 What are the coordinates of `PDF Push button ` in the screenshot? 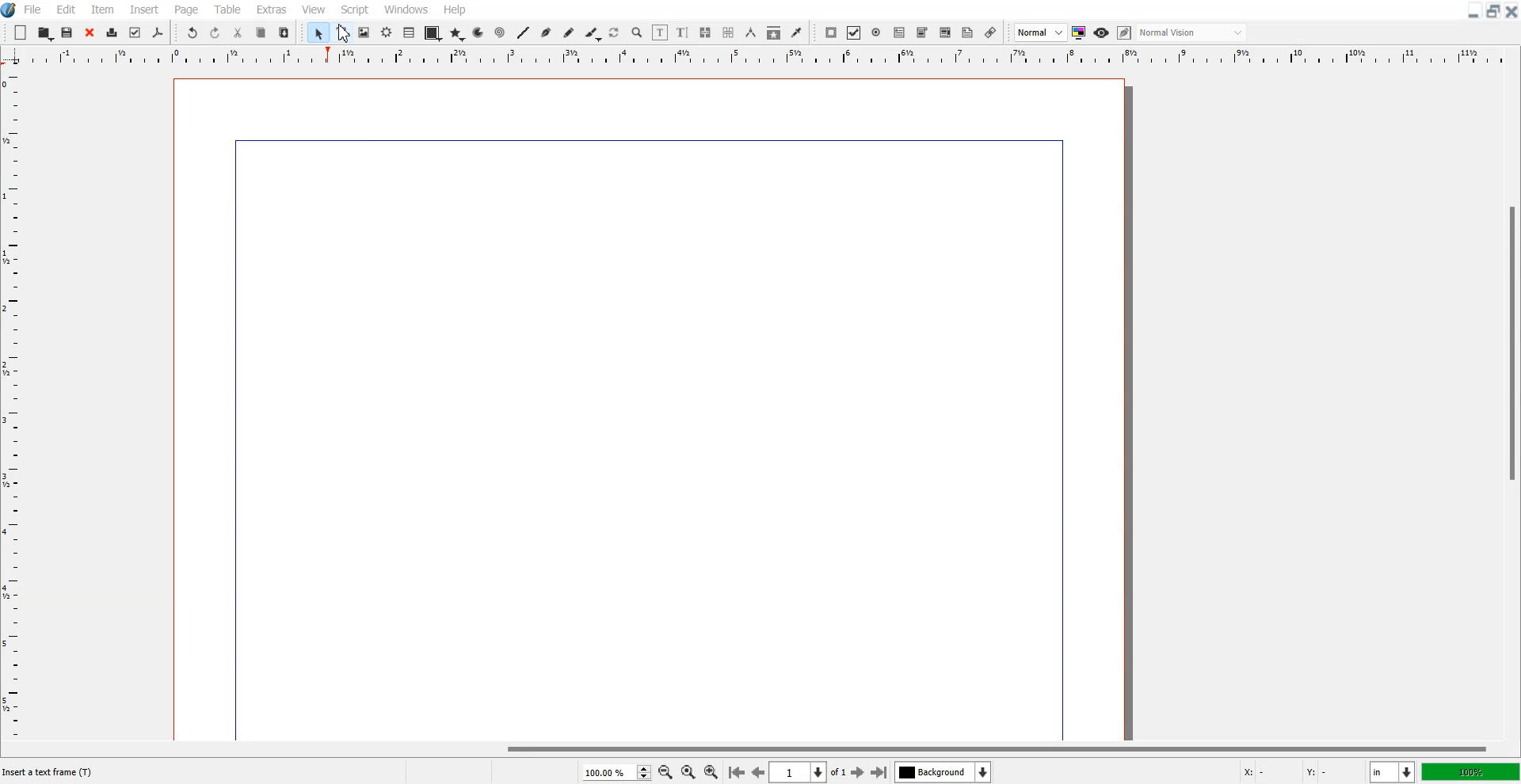 It's located at (830, 32).